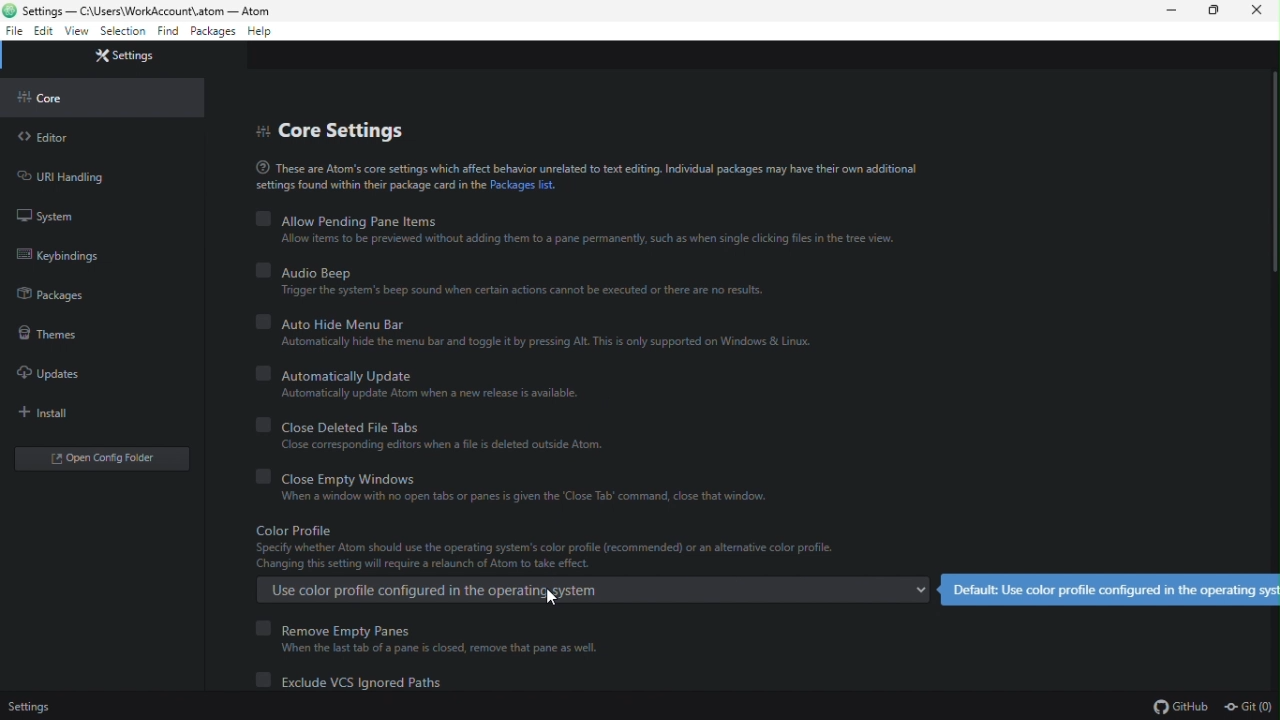 This screenshot has height=720, width=1280. Describe the element at coordinates (33, 707) in the screenshot. I see `settings` at that location.